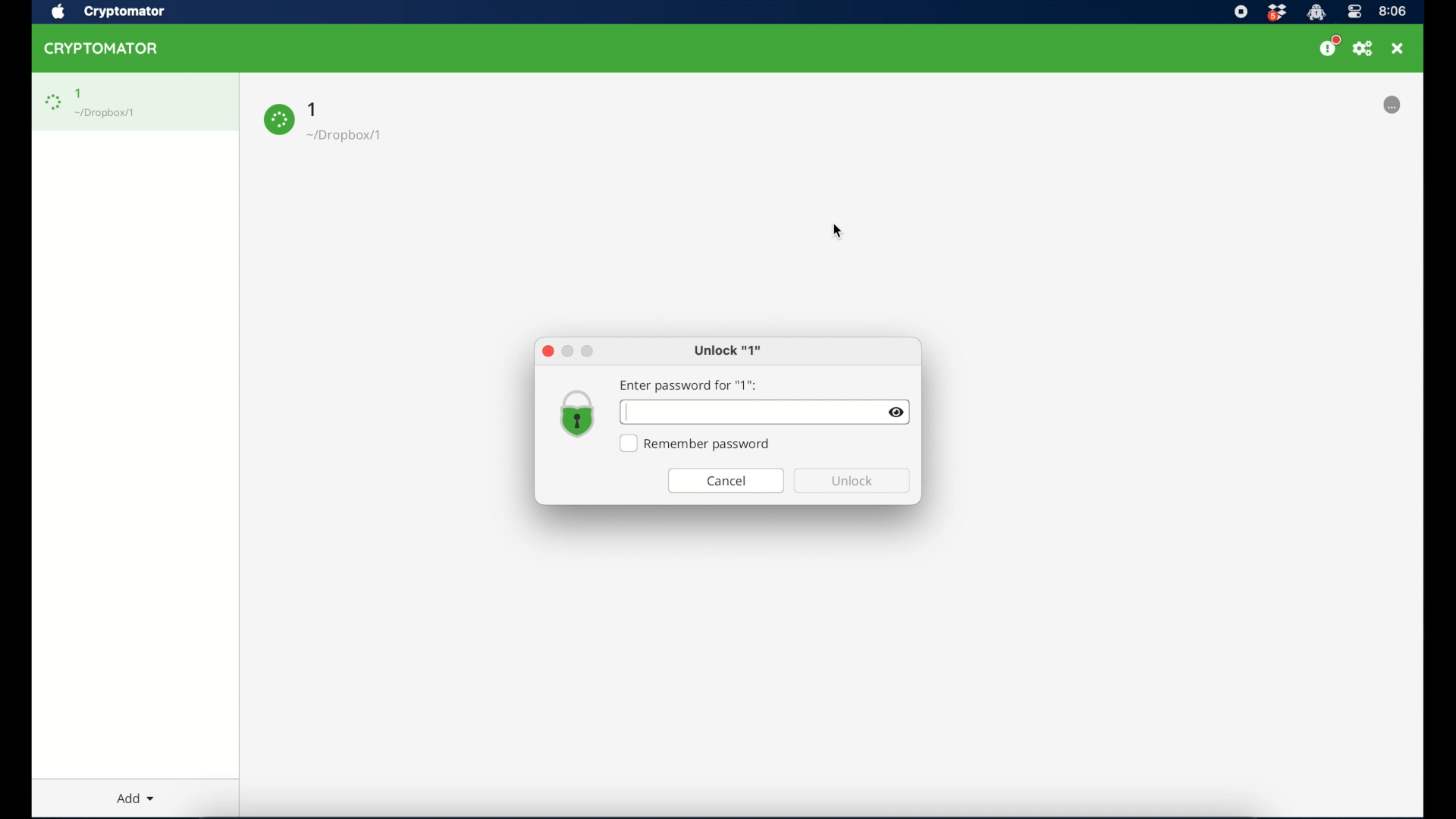 The width and height of the screenshot is (1456, 819). I want to click on loading, so click(278, 121).